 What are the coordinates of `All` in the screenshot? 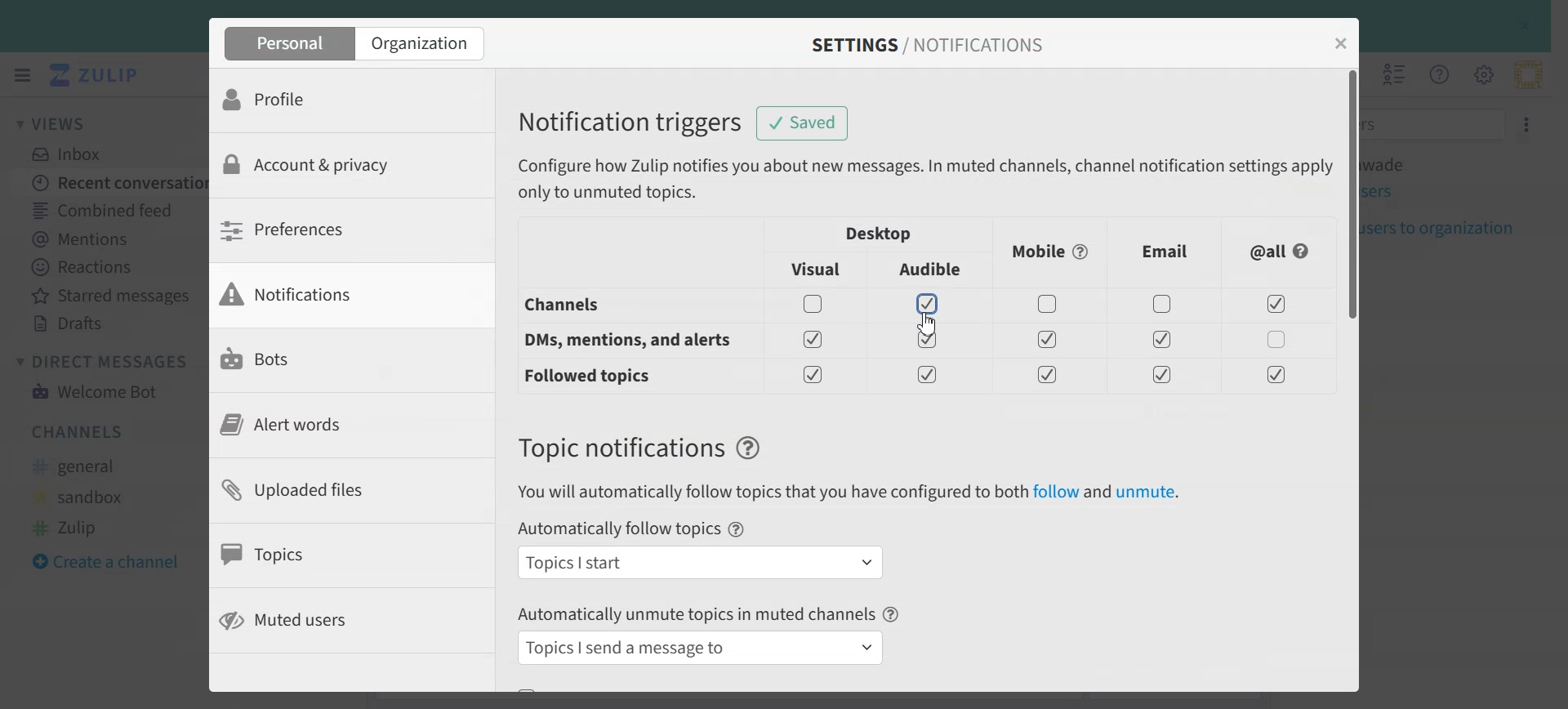 It's located at (1281, 252).